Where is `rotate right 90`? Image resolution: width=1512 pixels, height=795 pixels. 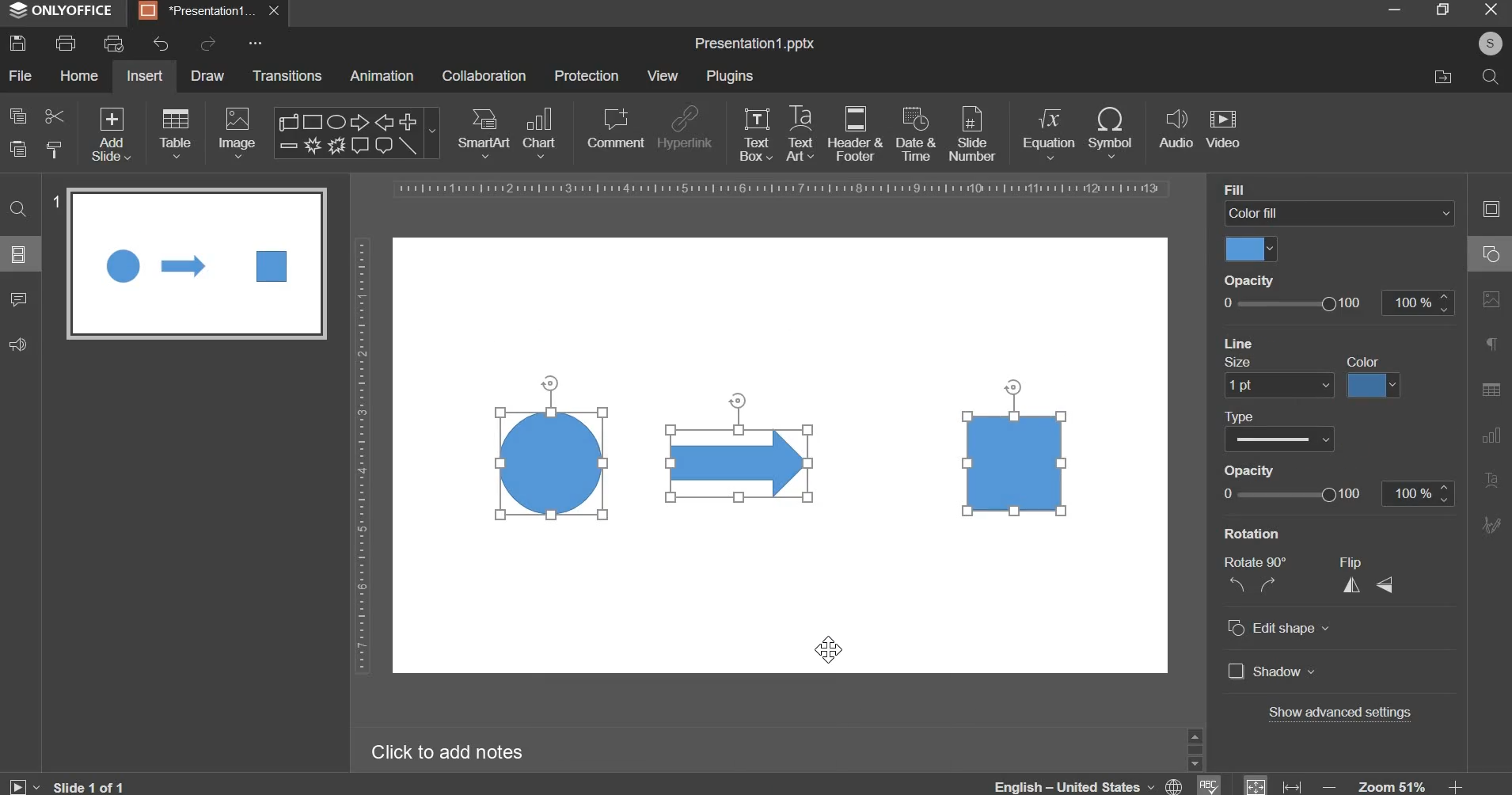 rotate right 90 is located at coordinates (1271, 585).